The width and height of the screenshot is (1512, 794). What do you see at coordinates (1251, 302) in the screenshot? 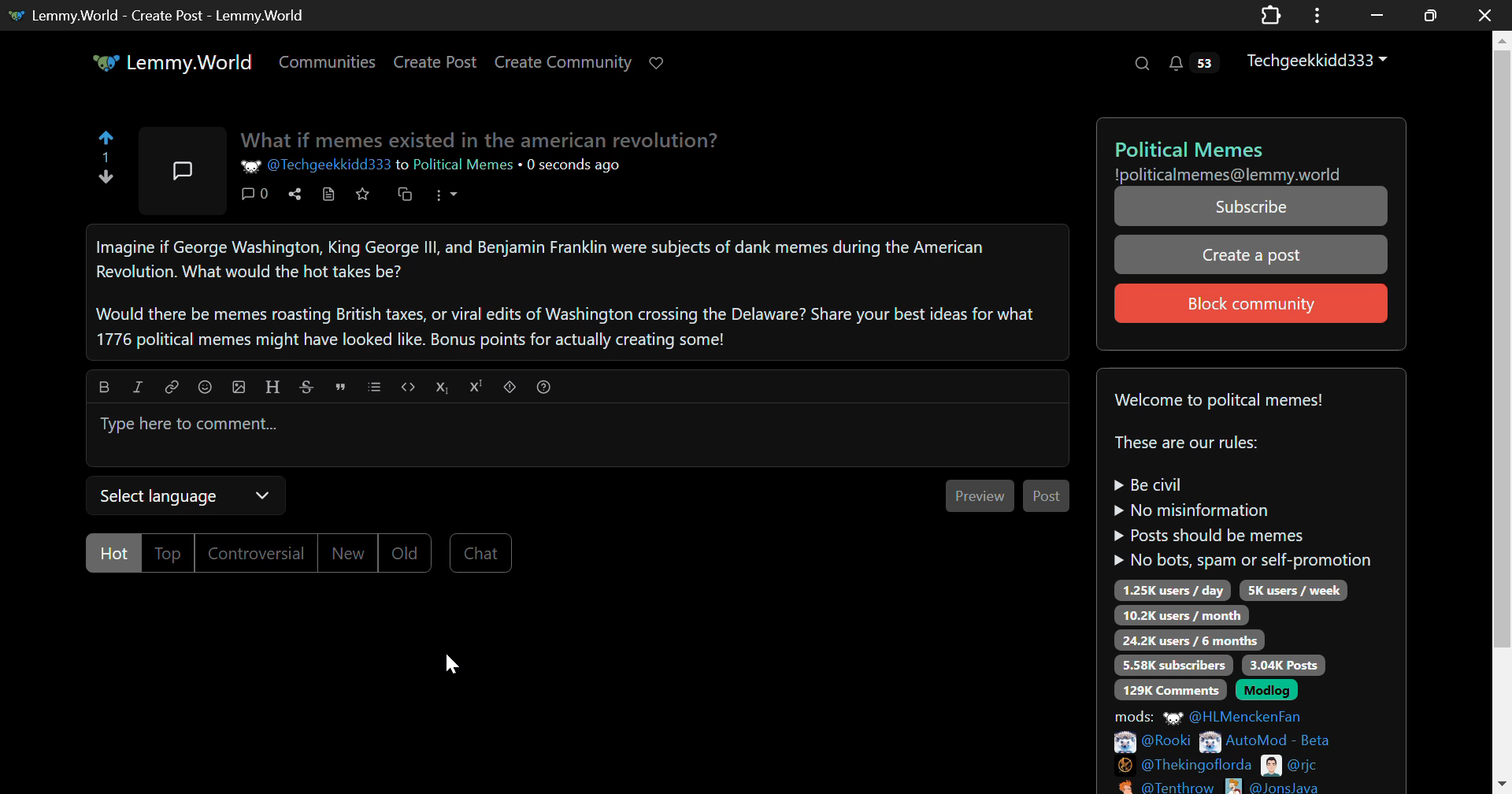
I see `Block community Button` at bounding box center [1251, 302].